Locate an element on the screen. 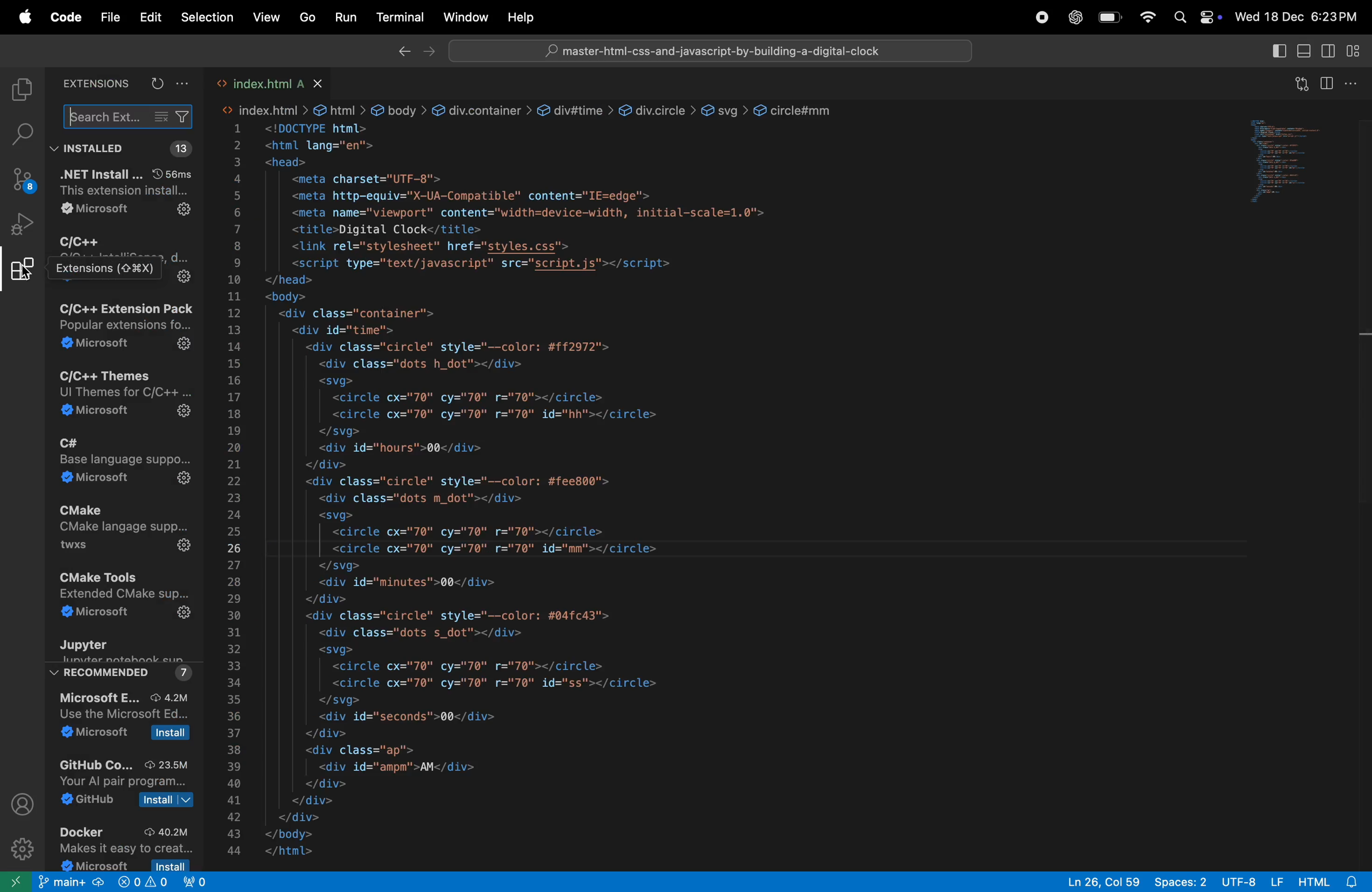  C++ extension pack is located at coordinates (126, 326).